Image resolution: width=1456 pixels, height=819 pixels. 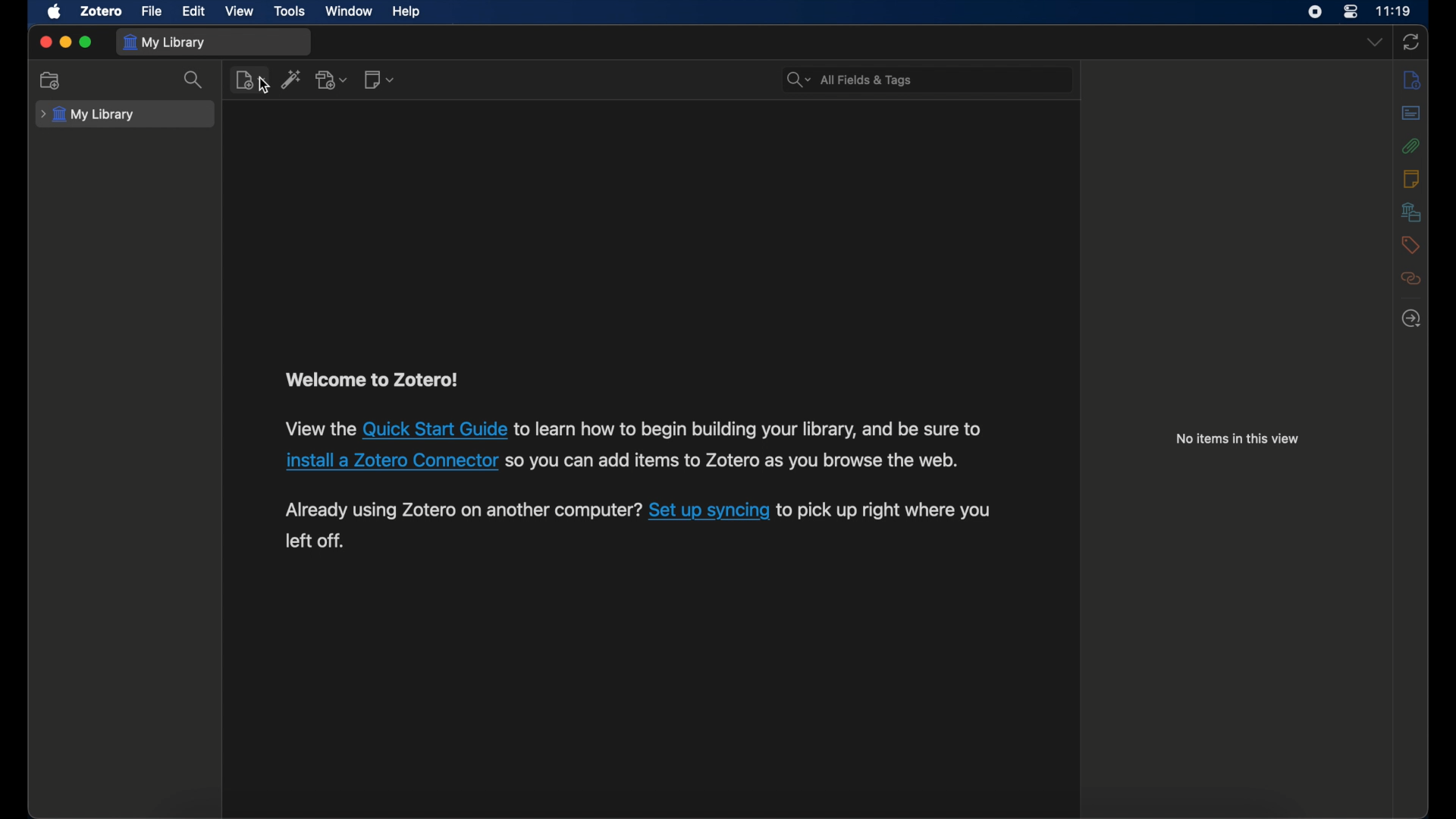 What do you see at coordinates (1411, 318) in the screenshot?
I see `locate` at bounding box center [1411, 318].